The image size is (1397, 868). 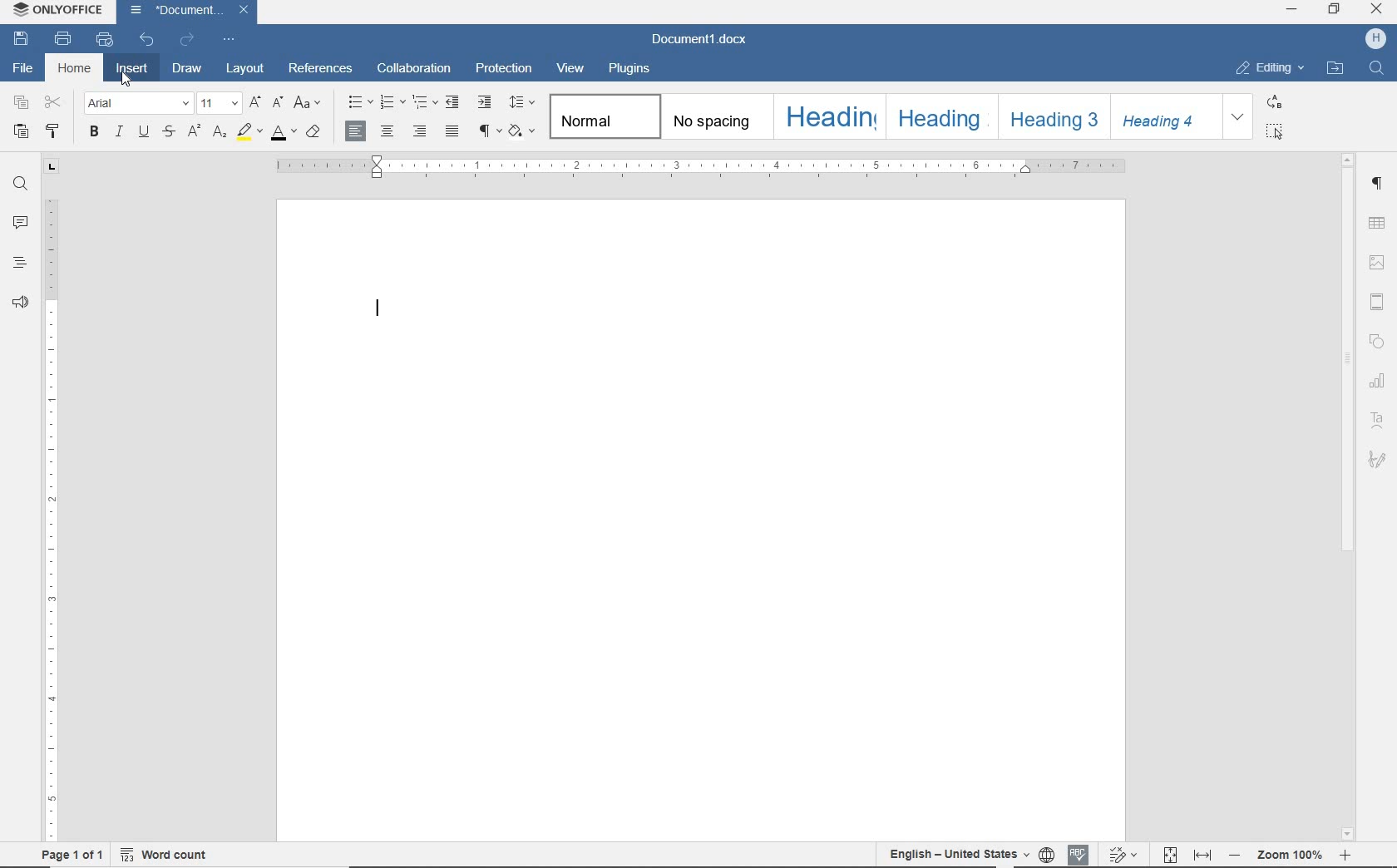 What do you see at coordinates (170, 132) in the screenshot?
I see `strikethrough` at bounding box center [170, 132].